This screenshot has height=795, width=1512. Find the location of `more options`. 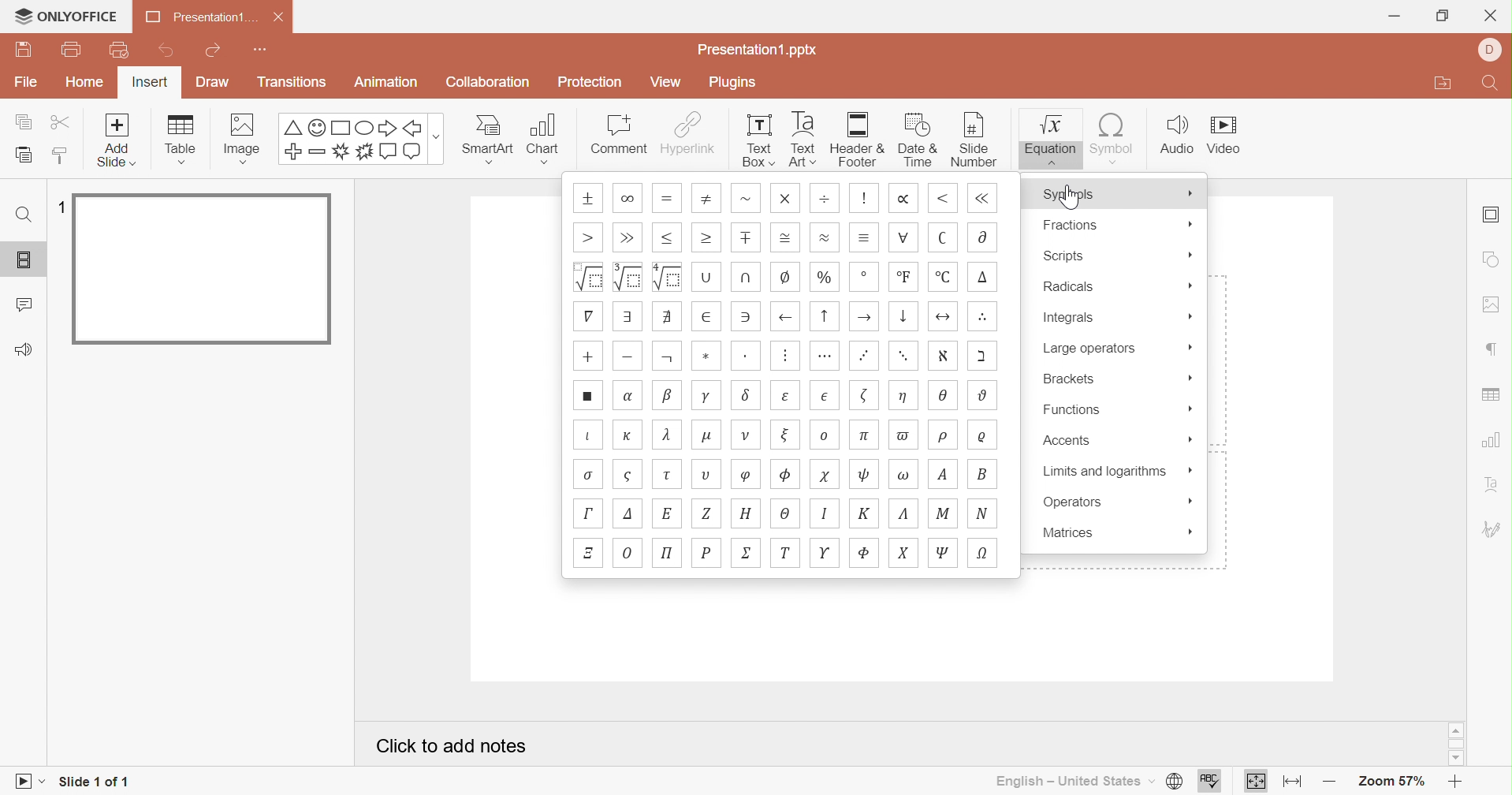

more options is located at coordinates (438, 140).